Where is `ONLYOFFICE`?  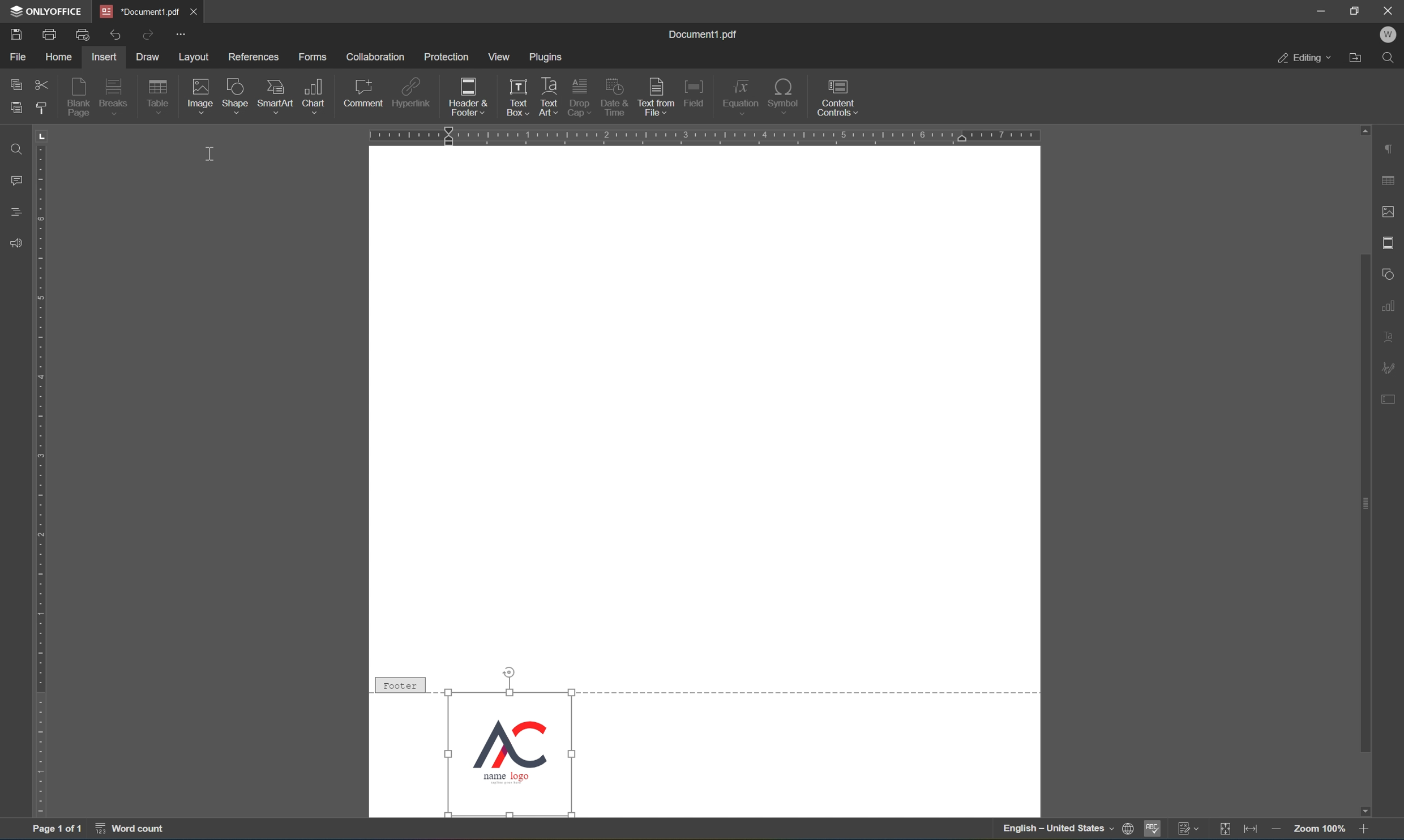
ONLYOFFICE is located at coordinates (46, 12).